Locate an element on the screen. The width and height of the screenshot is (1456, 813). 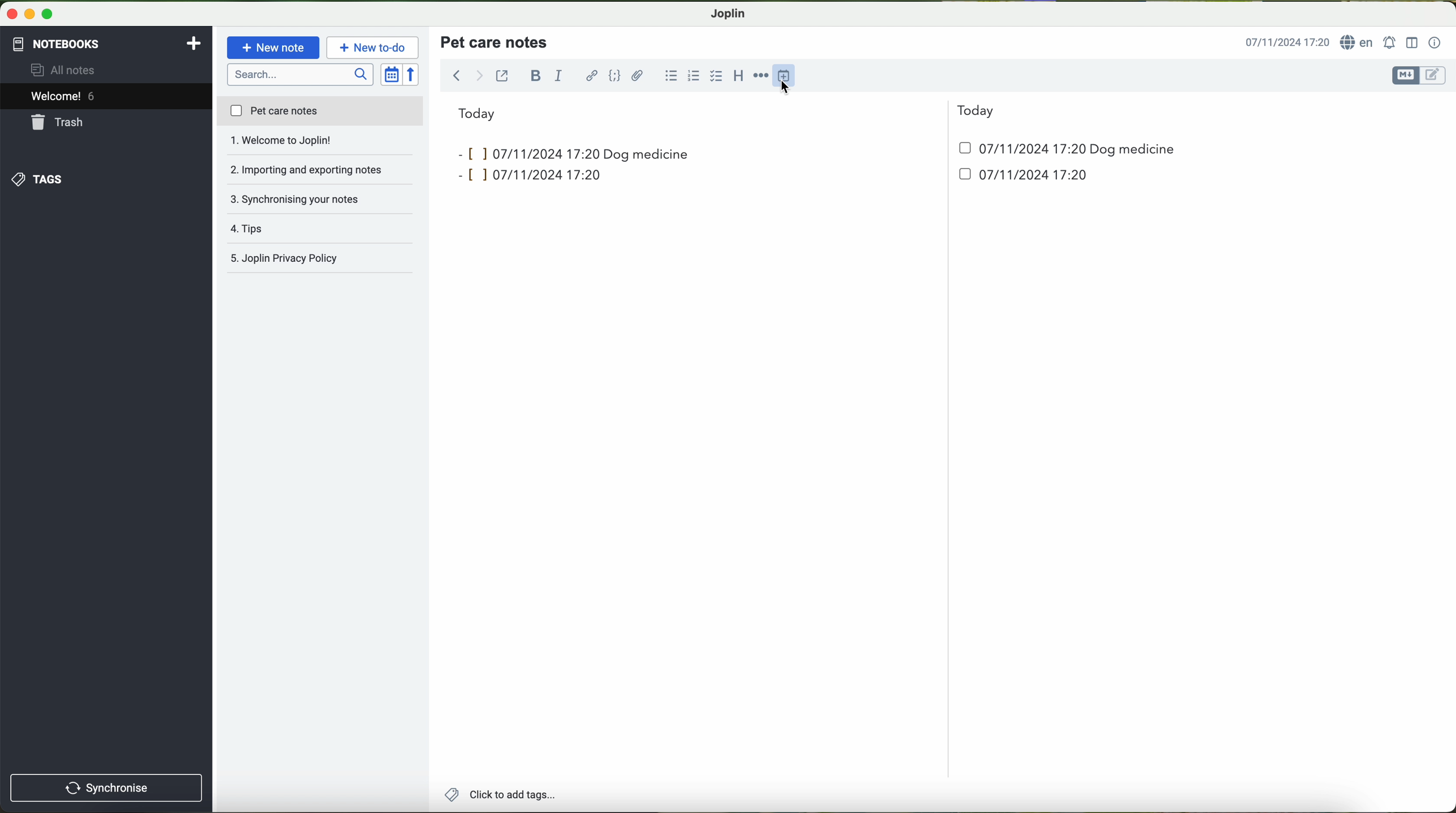
set alarm is located at coordinates (1391, 42).